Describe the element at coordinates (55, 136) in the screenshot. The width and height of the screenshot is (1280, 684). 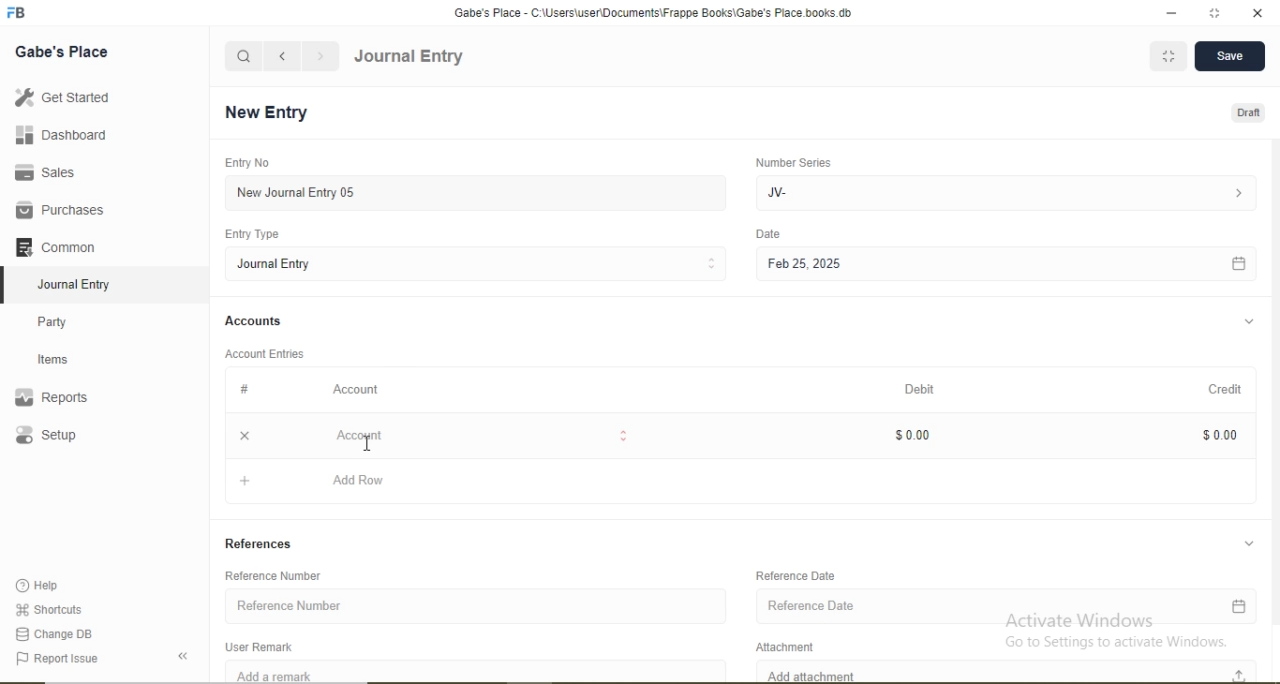
I see `Dashboard` at that location.